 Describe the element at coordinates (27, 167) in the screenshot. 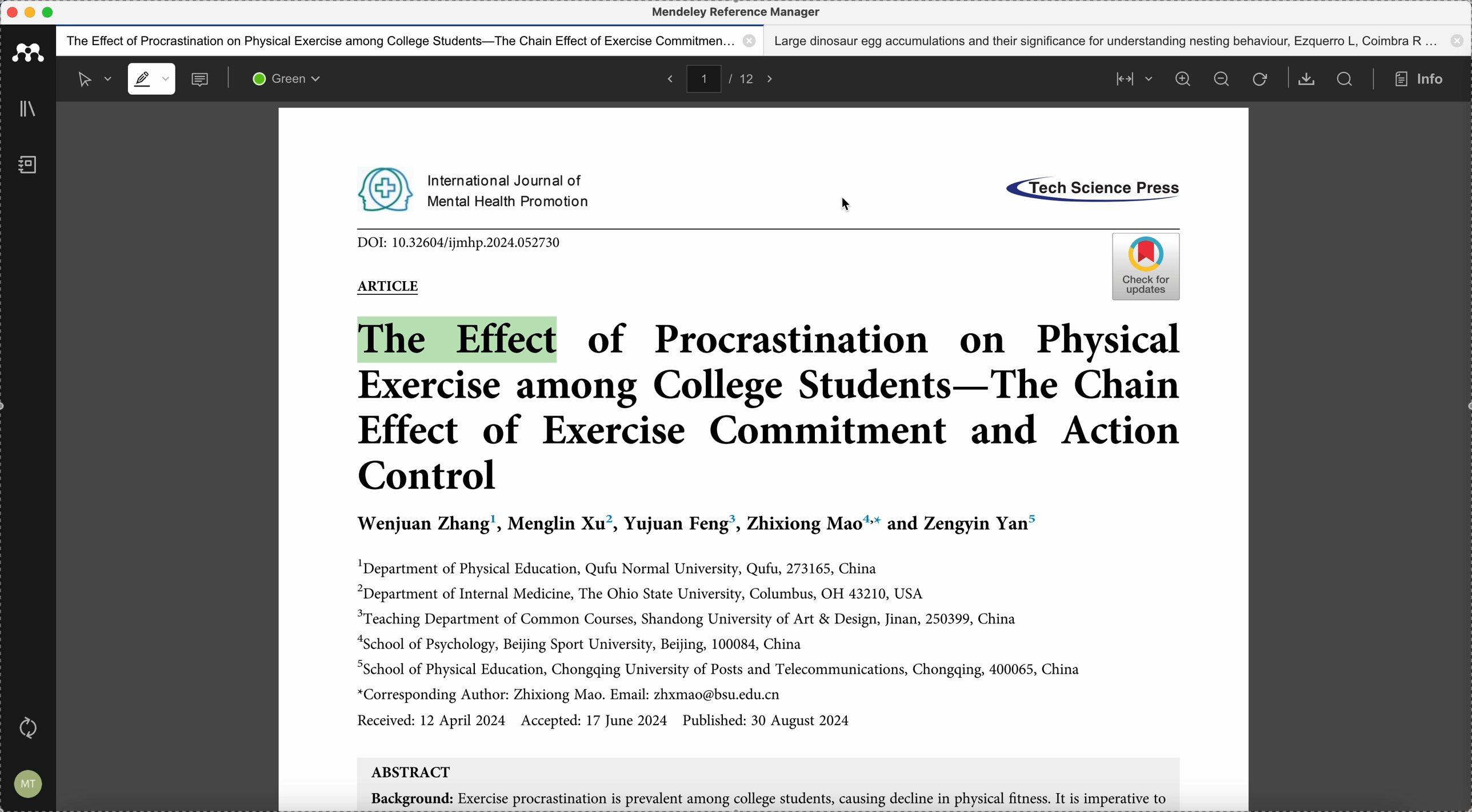

I see `notebook` at that location.